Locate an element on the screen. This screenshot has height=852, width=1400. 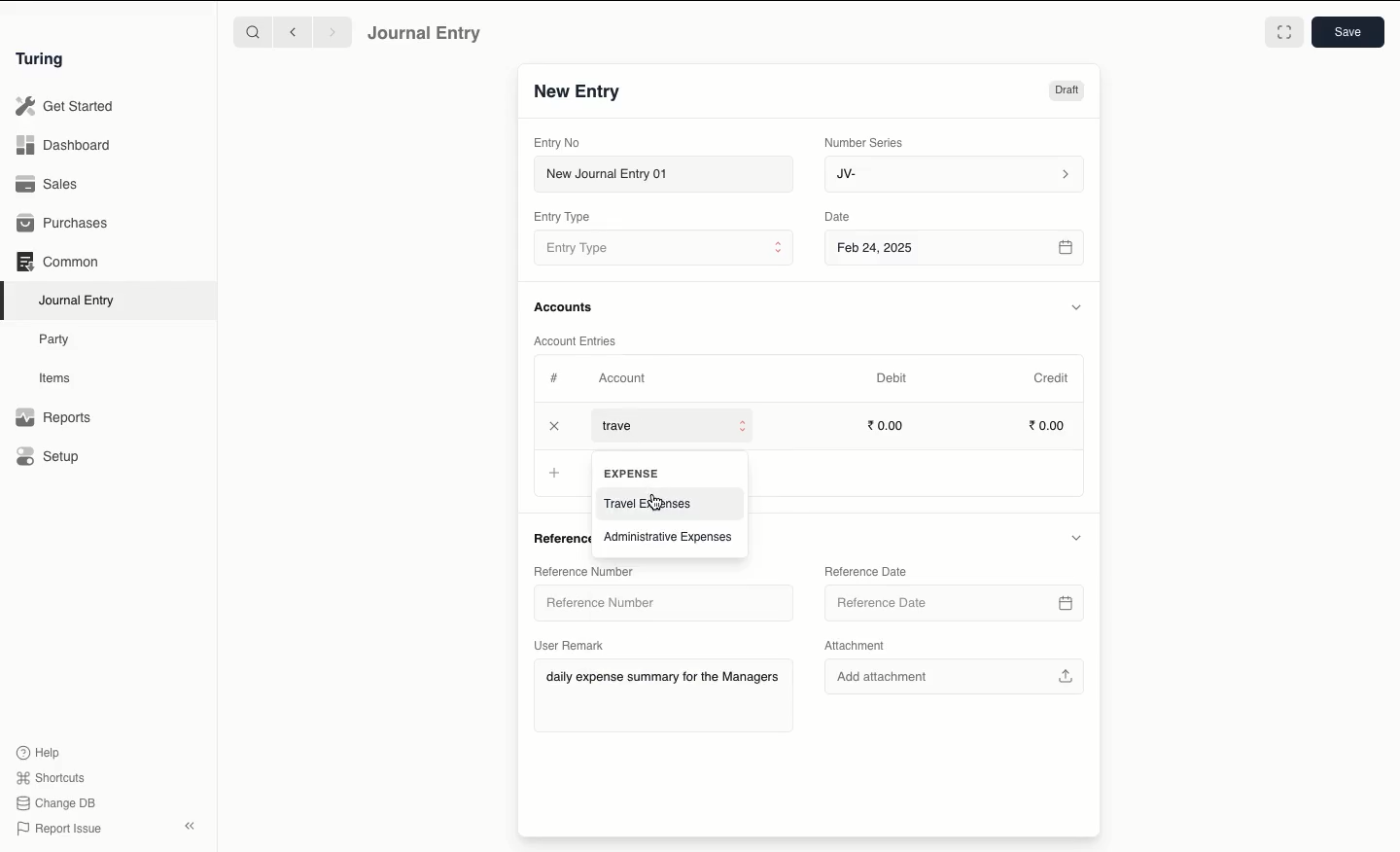
Get Started is located at coordinates (66, 107).